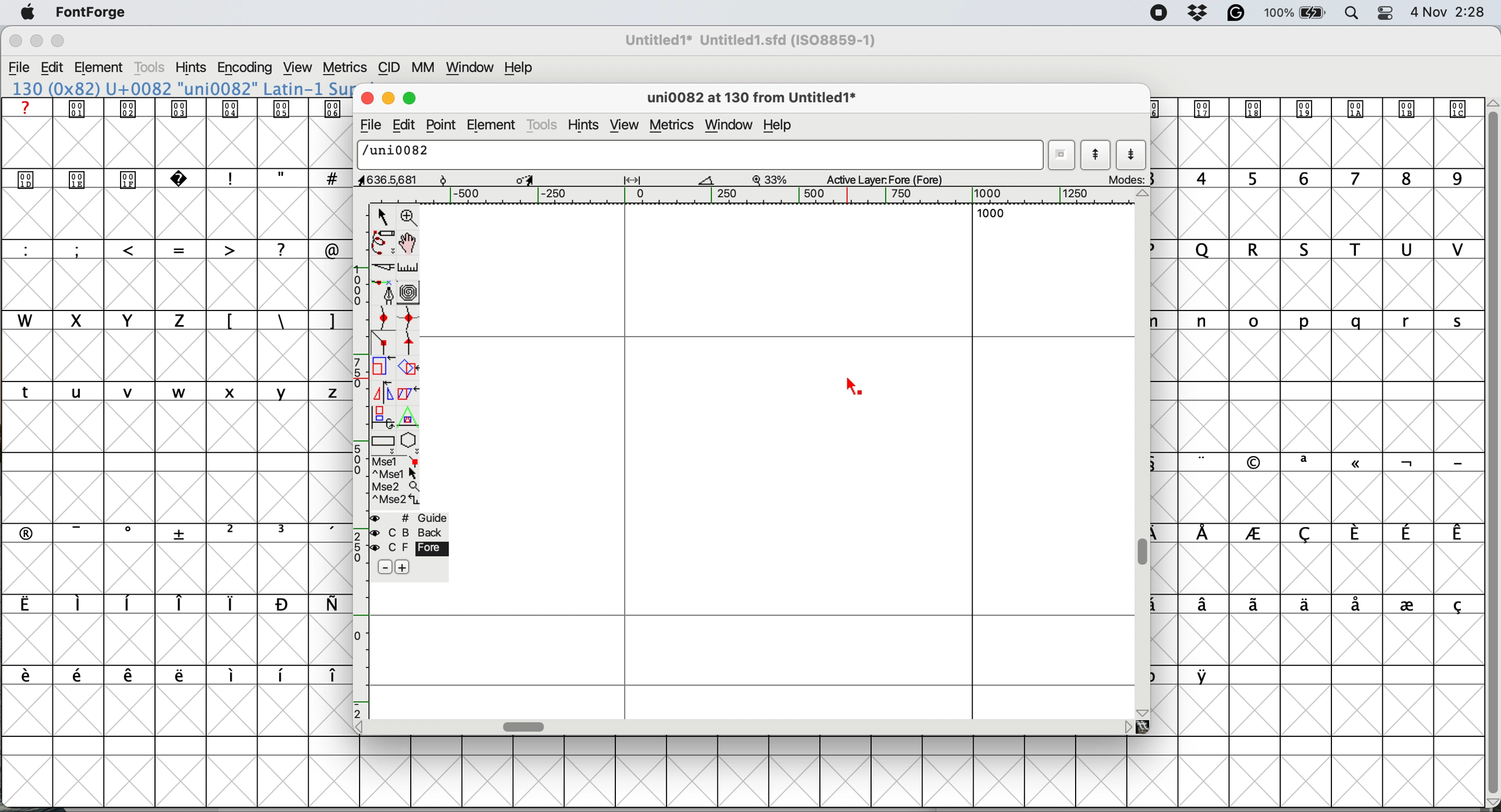  I want to click on lower case letters, so click(177, 391).